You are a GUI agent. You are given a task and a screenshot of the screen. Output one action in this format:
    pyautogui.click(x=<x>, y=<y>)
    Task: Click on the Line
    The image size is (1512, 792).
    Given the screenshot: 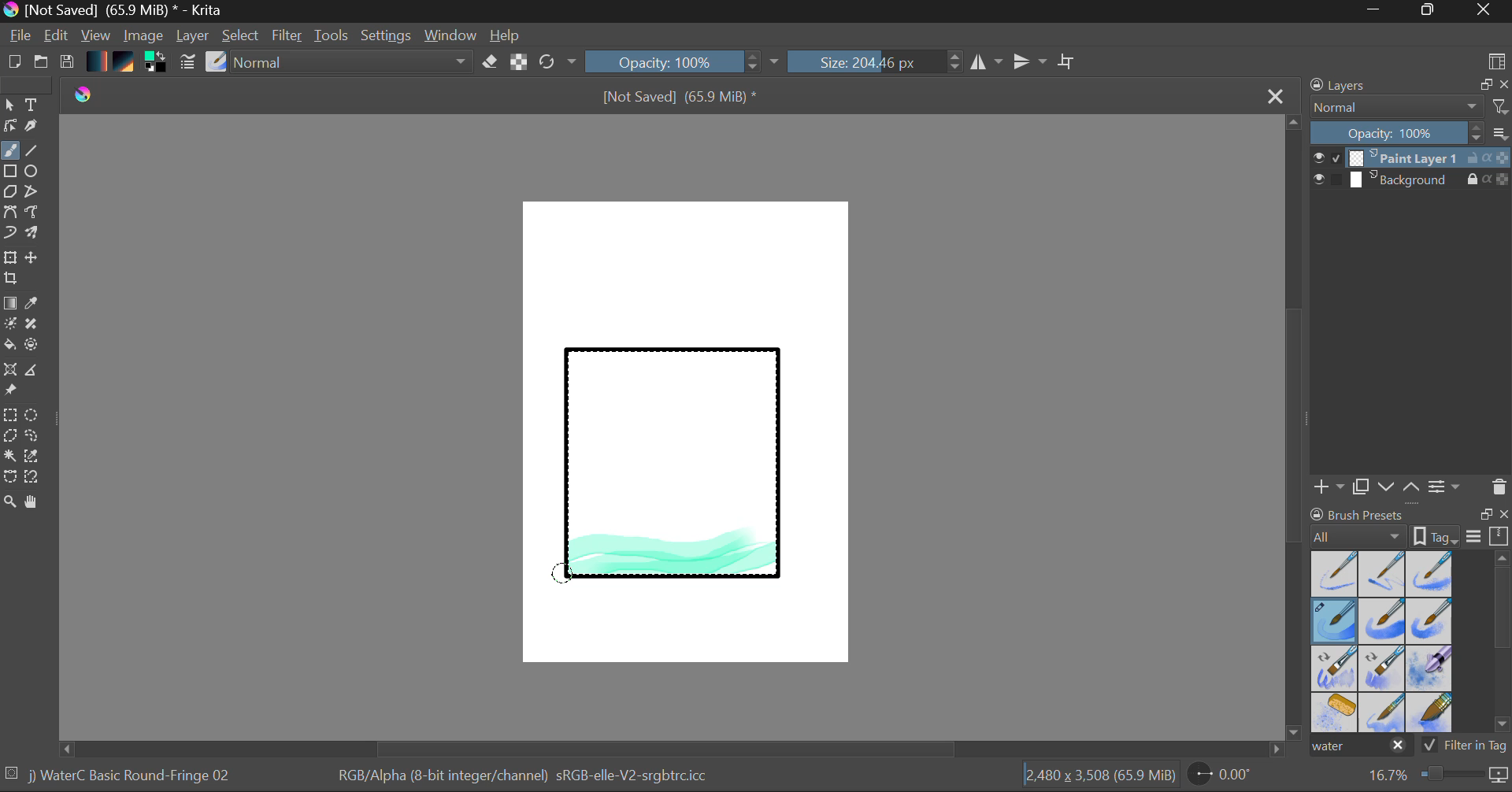 What is the action you would take?
    pyautogui.click(x=32, y=151)
    